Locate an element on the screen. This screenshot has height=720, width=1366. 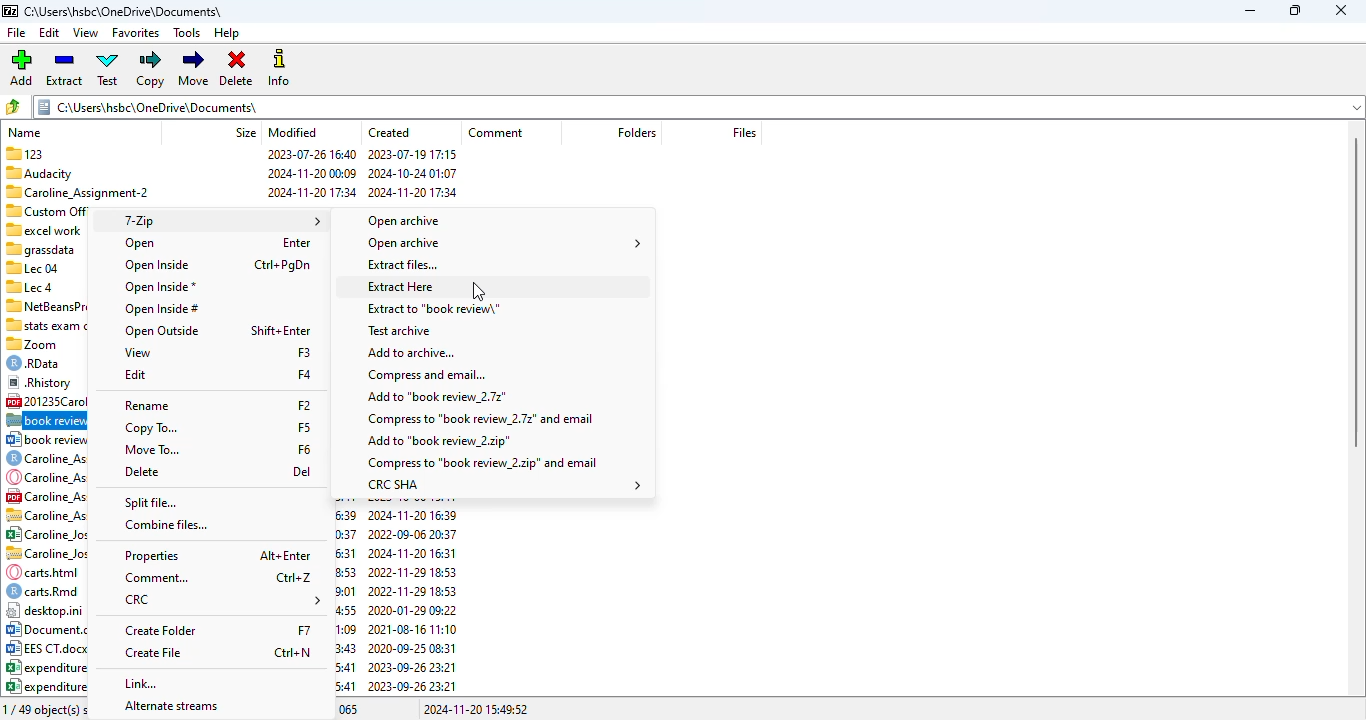
shortcut for create file is located at coordinates (294, 652).